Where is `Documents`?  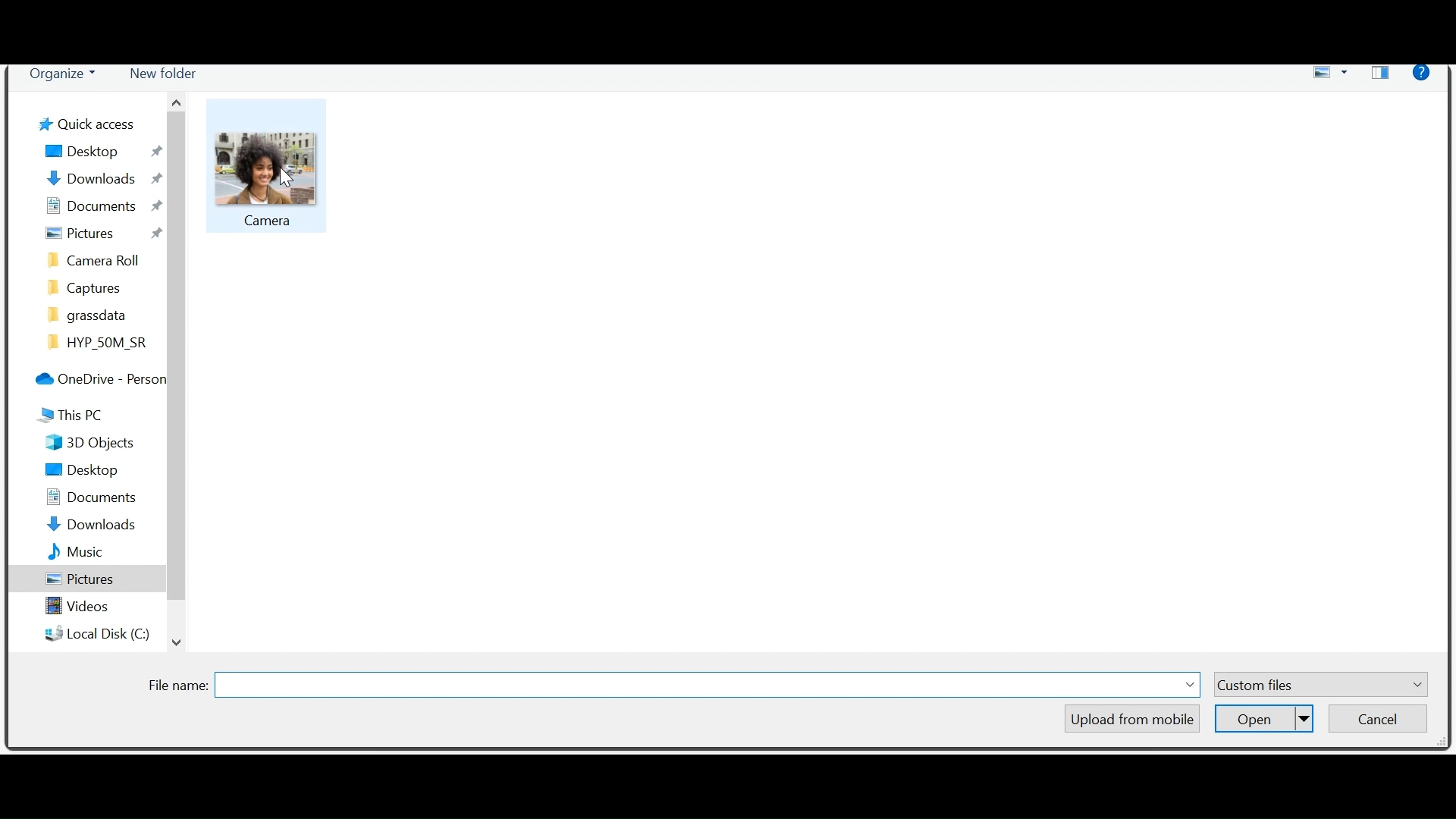 Documents is located at coordinates (102, 205).